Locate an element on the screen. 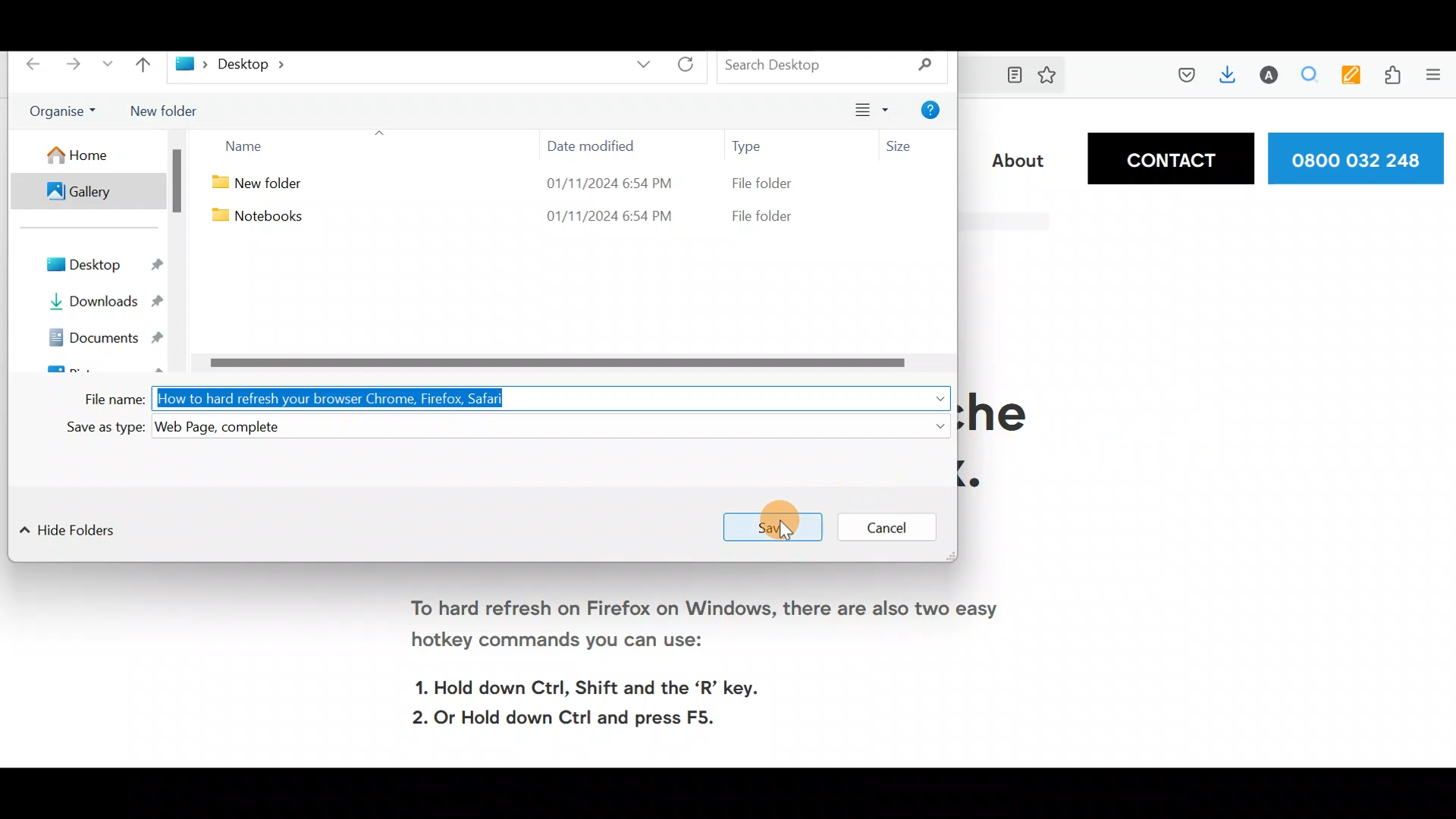  New folder is located at coordinates (174, 114).